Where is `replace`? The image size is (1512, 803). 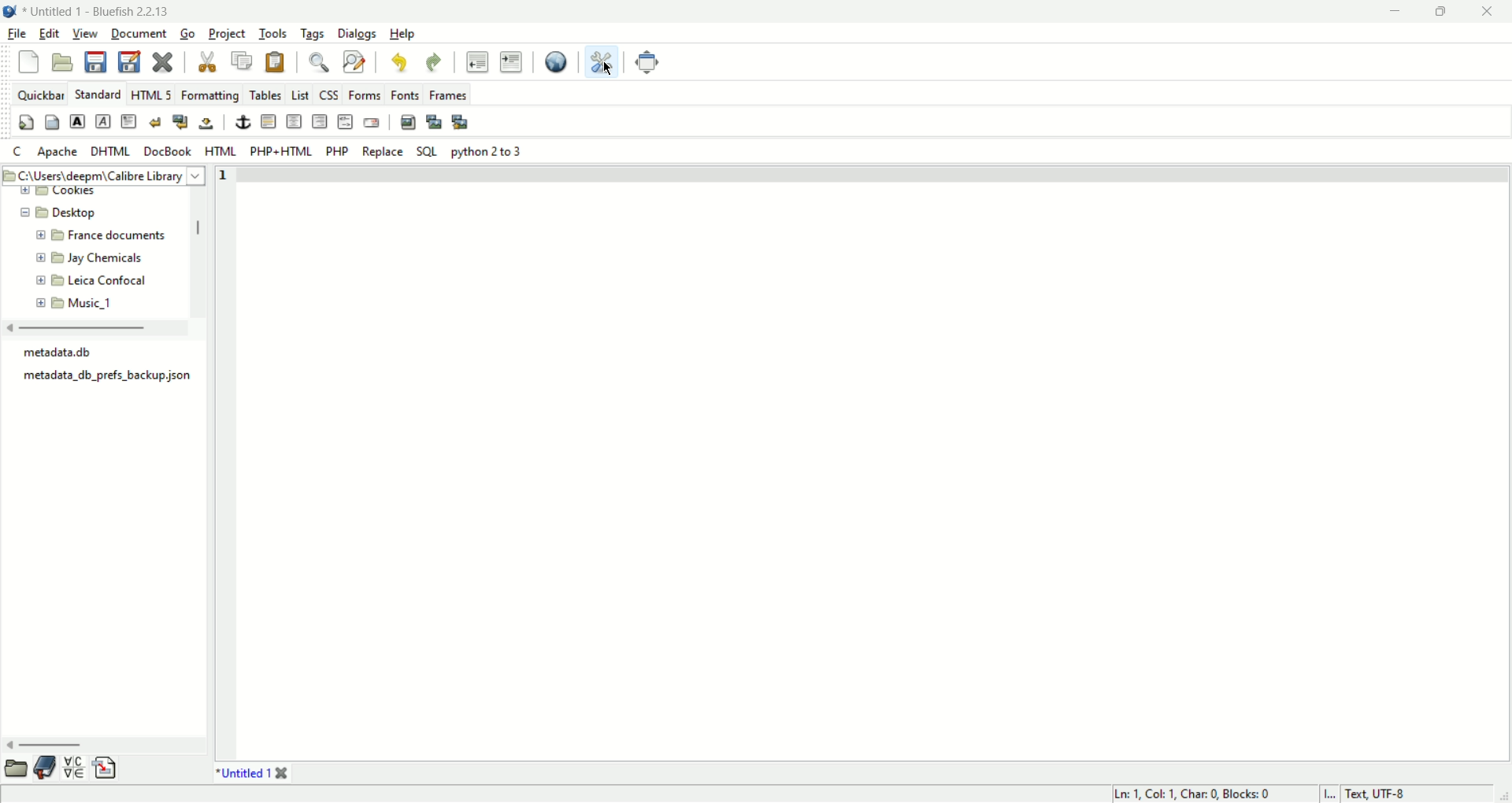
replace is located at coordinates (383, 153).